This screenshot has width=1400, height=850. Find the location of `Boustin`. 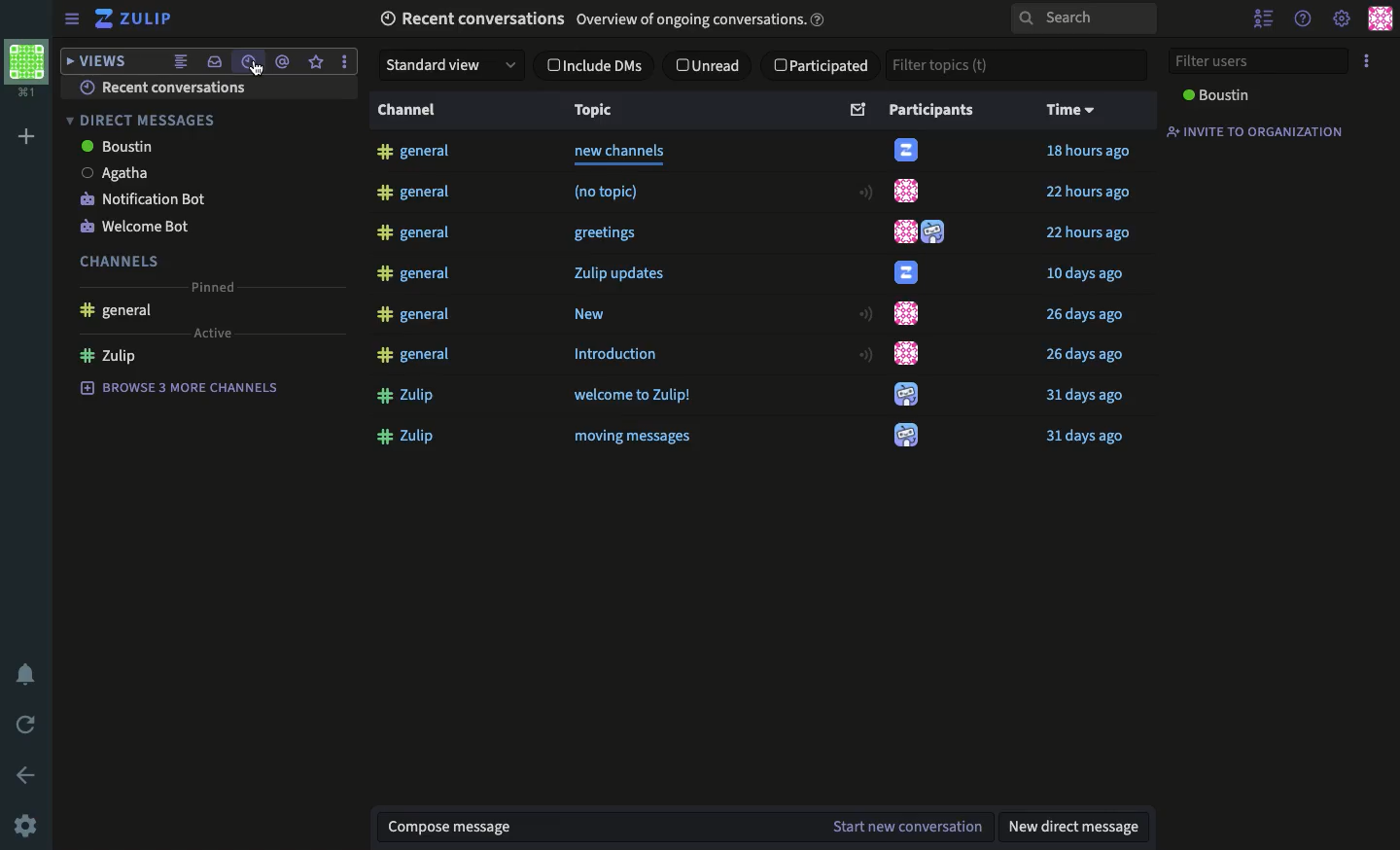

Boustin is located at coordinates (1216, 95).